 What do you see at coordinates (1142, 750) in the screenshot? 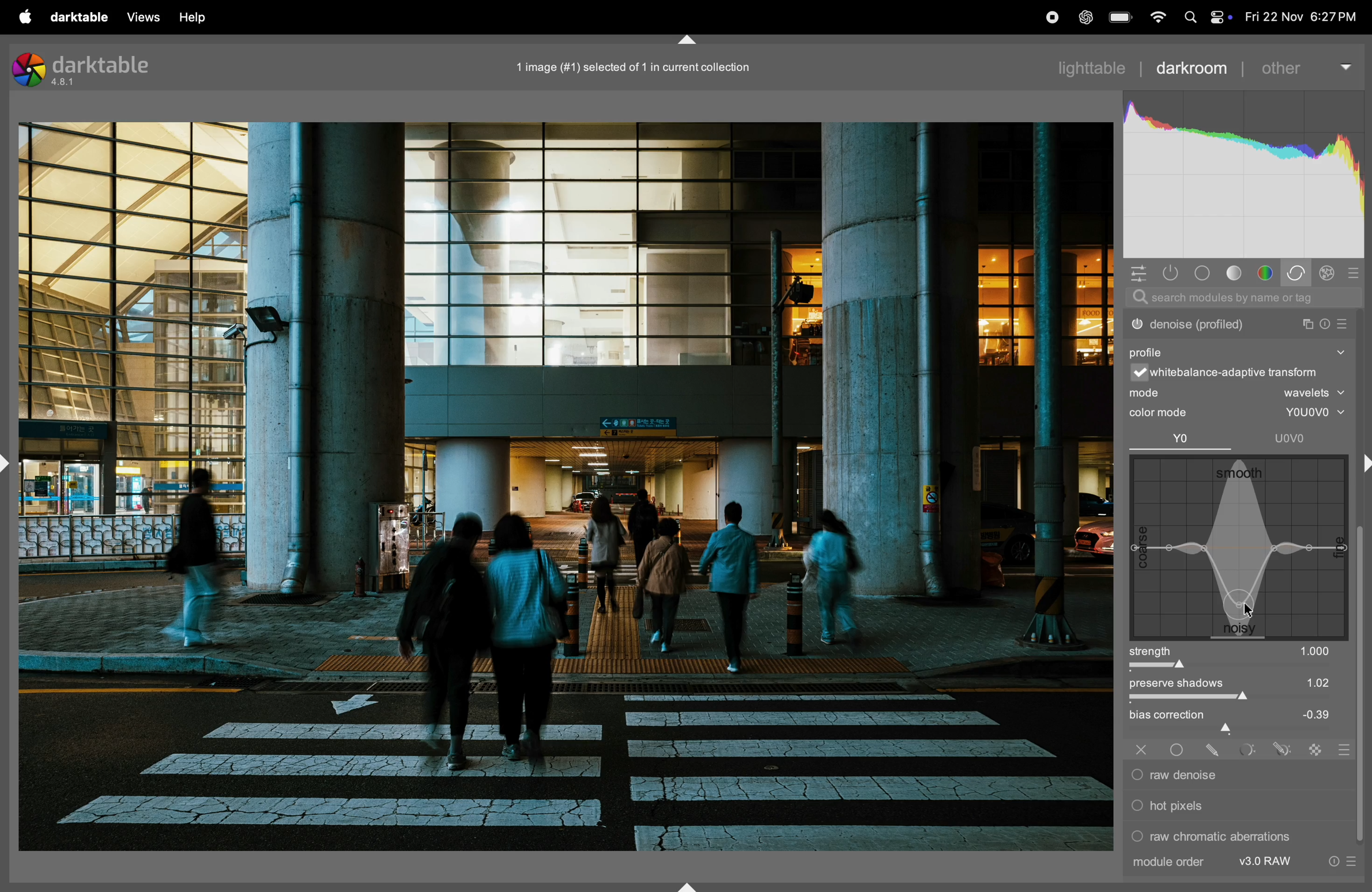
I see `off` at bounding box center [1142, 750].